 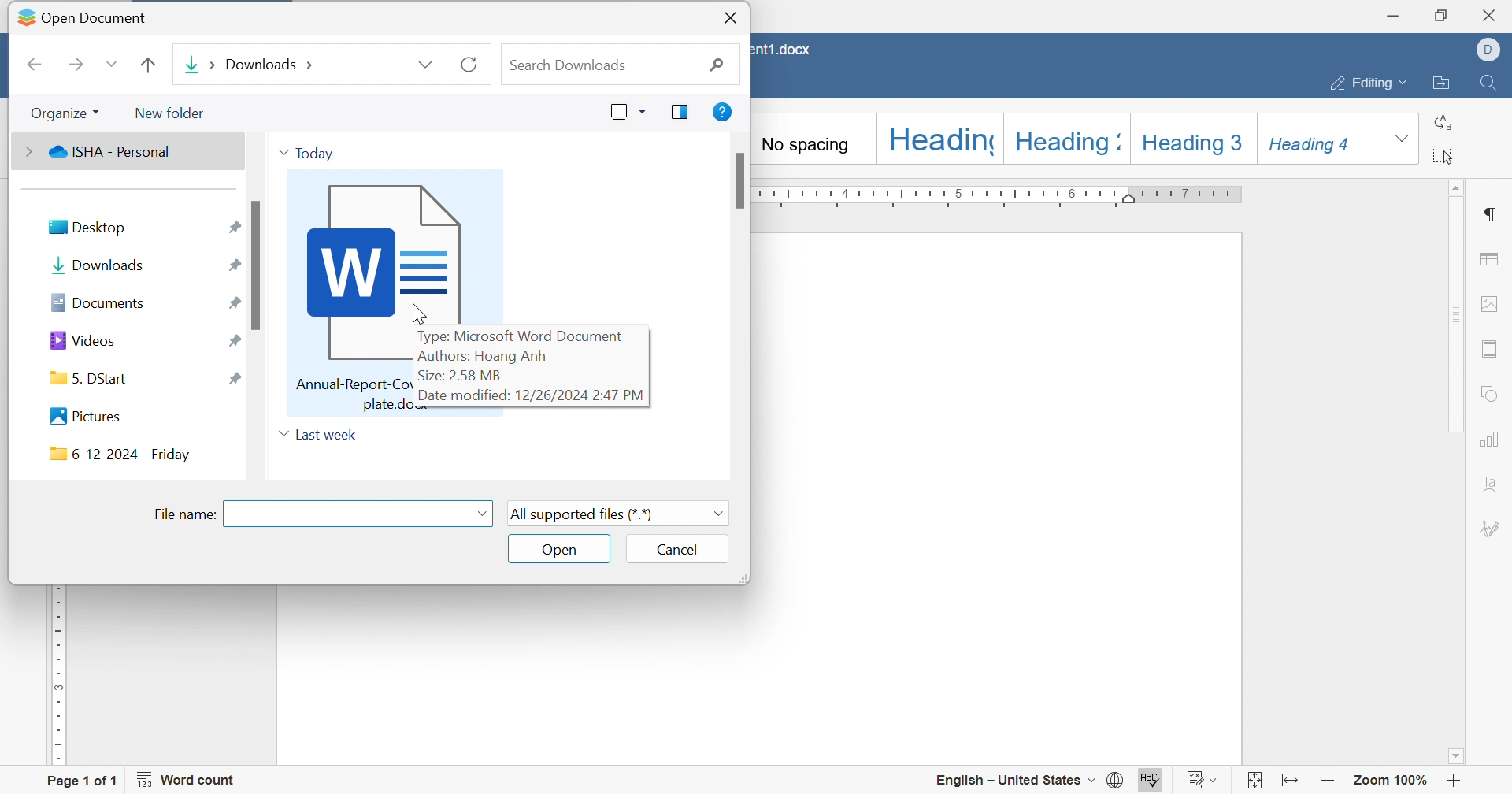 I want to click on file name, so click(x=187, y=514).